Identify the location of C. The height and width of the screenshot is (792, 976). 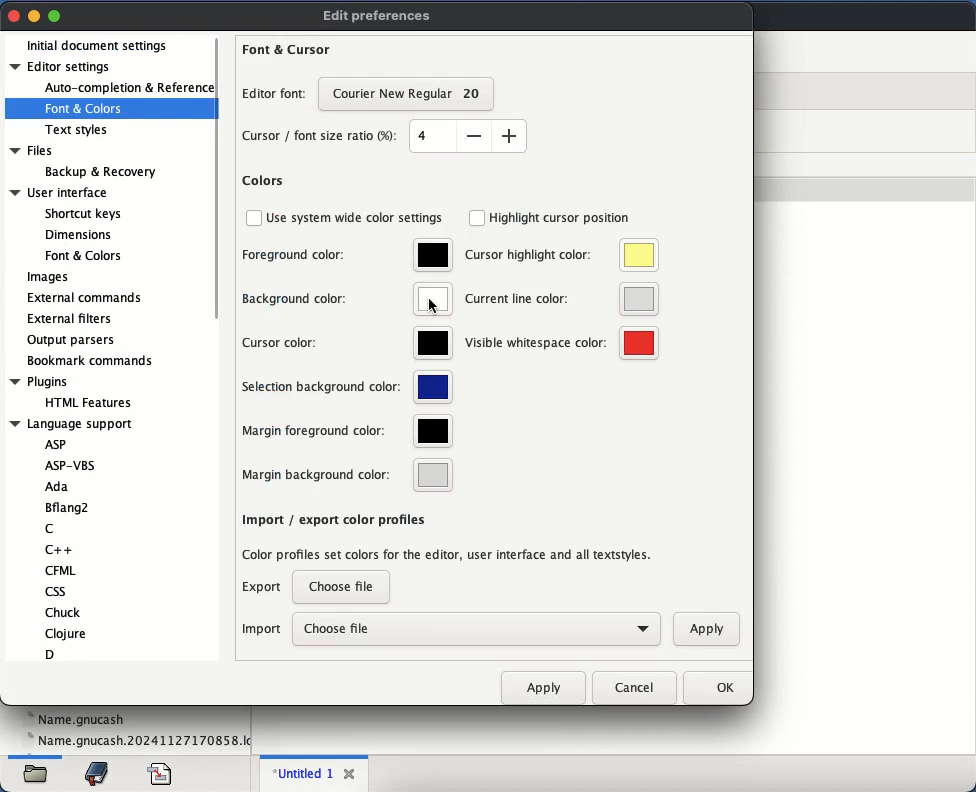
(51, 528).